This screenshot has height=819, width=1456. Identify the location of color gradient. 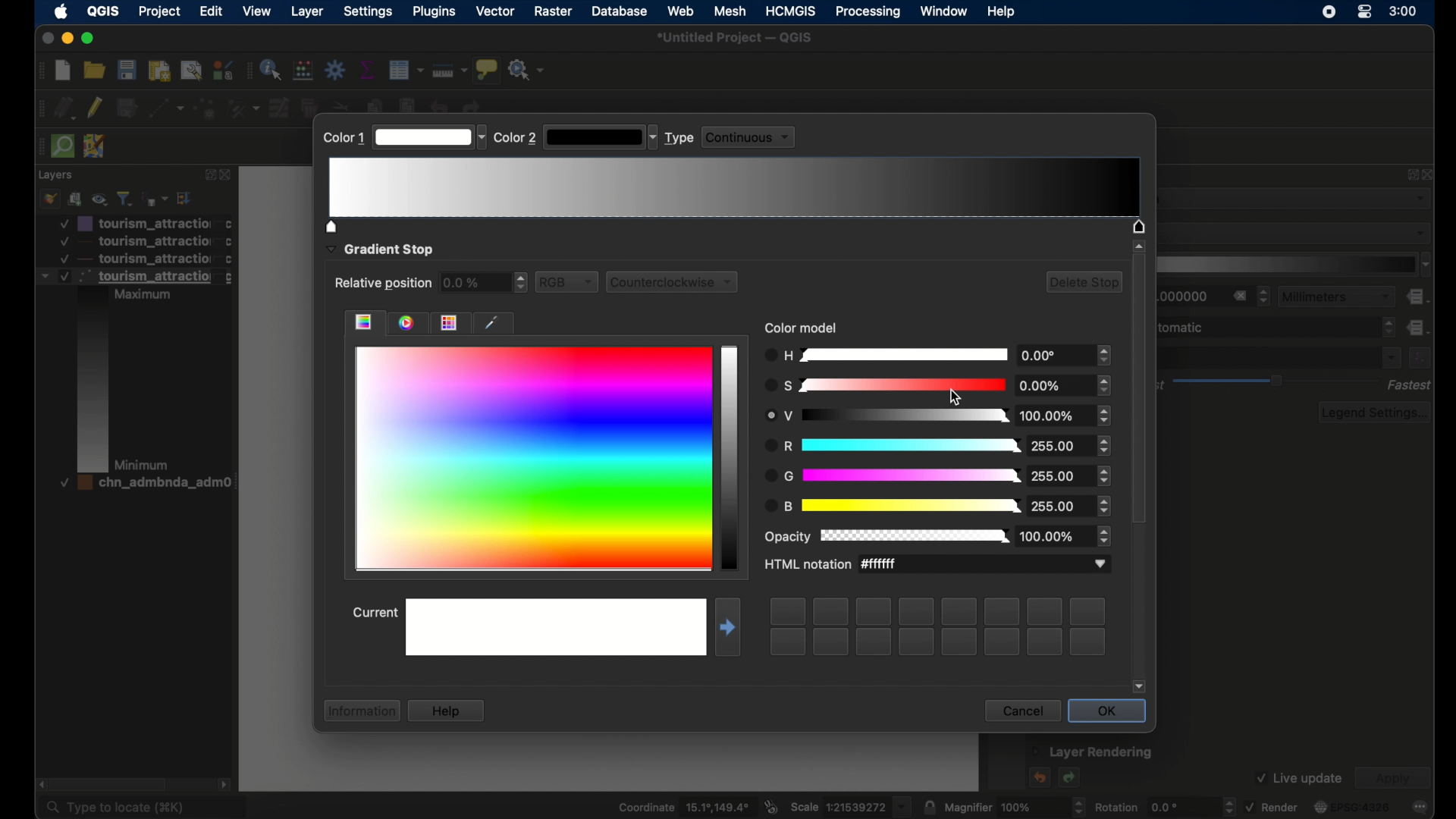
(364, 322).